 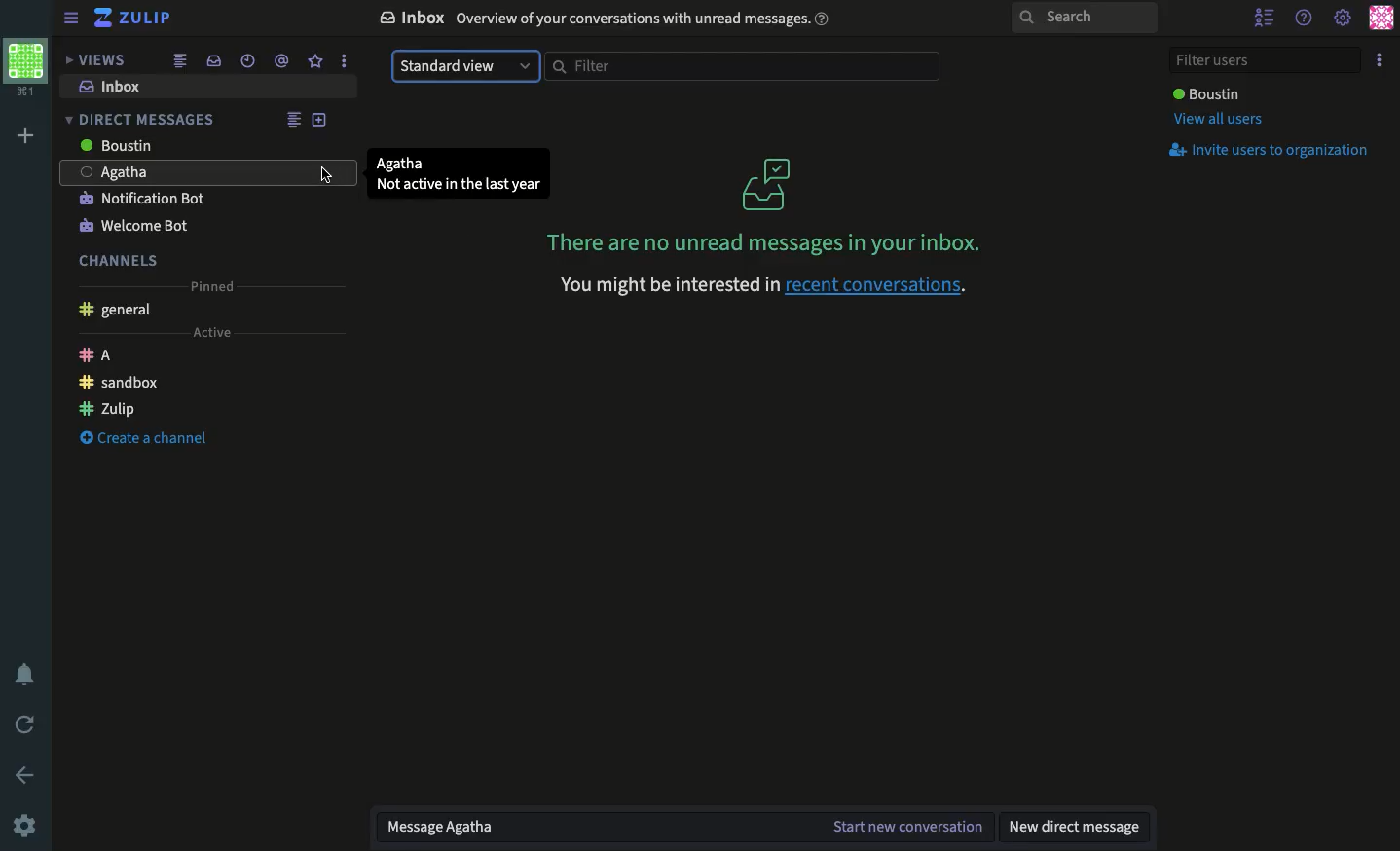 I want to click on Pinned, so click(x=216, y=285).